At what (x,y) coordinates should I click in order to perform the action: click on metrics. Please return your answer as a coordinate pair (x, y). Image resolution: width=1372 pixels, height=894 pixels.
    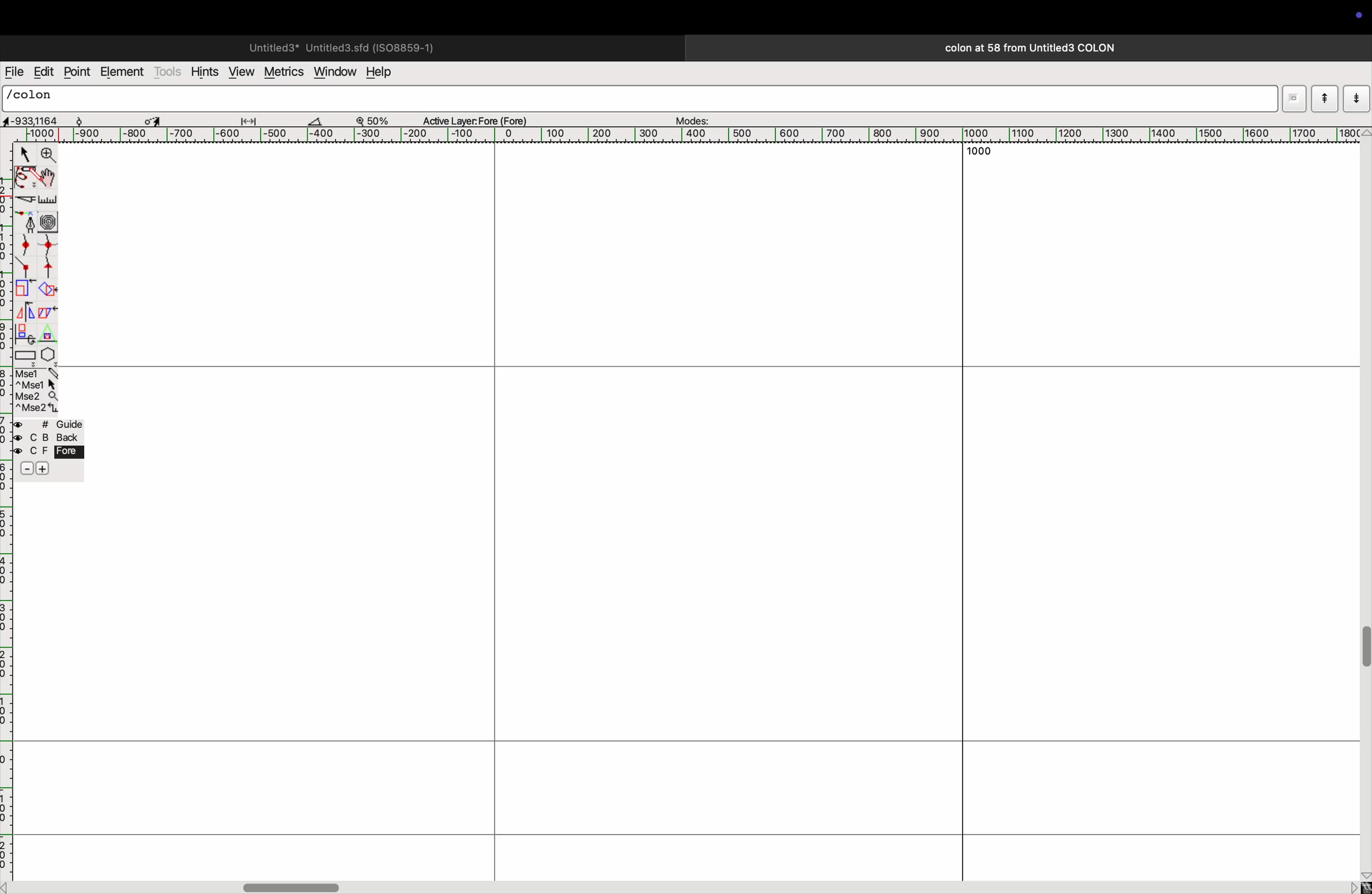
    Looking at the image, I should click on (282, 72).